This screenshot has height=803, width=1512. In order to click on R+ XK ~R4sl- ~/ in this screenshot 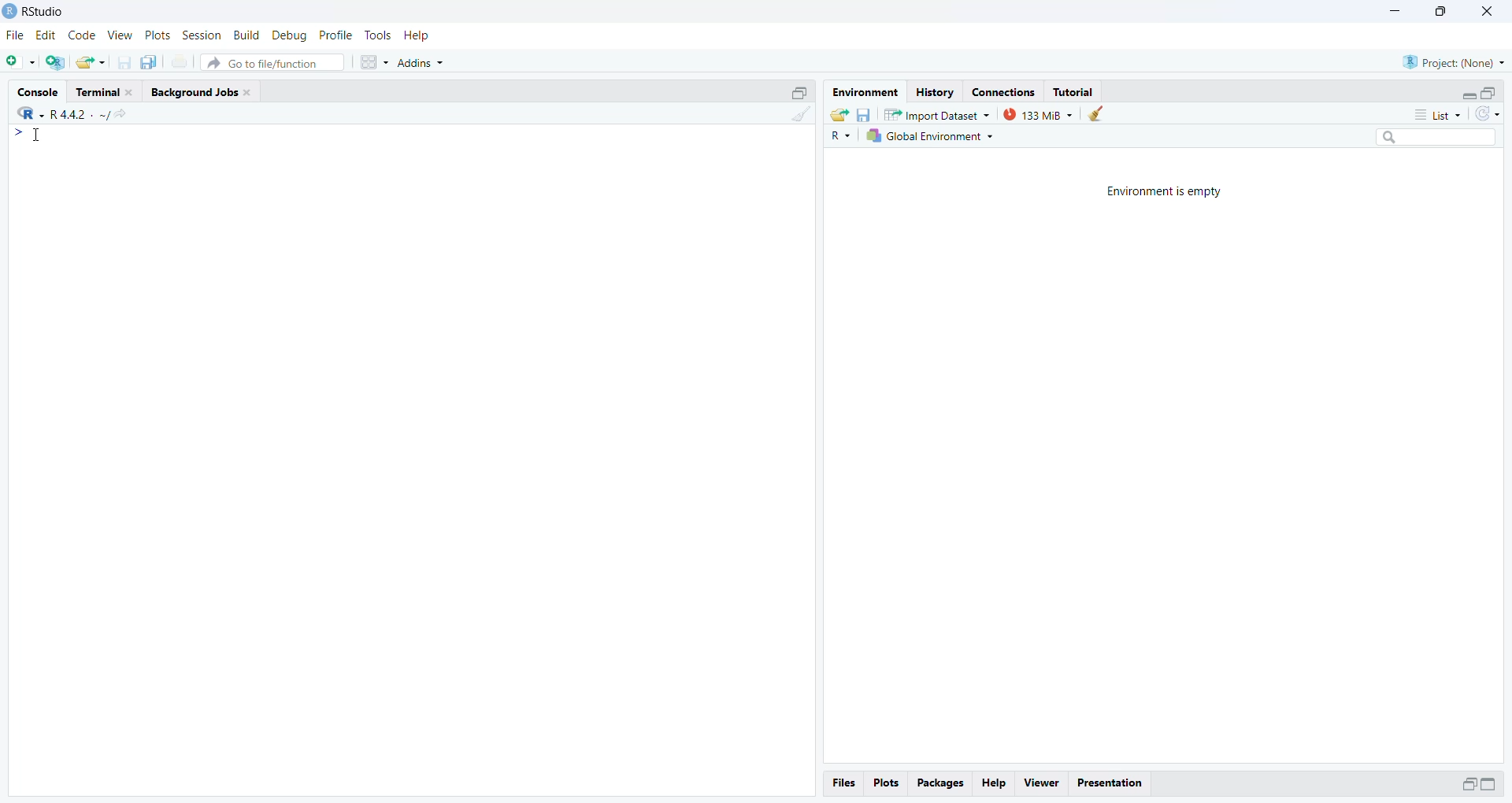, I will do `click(72, 114)`.